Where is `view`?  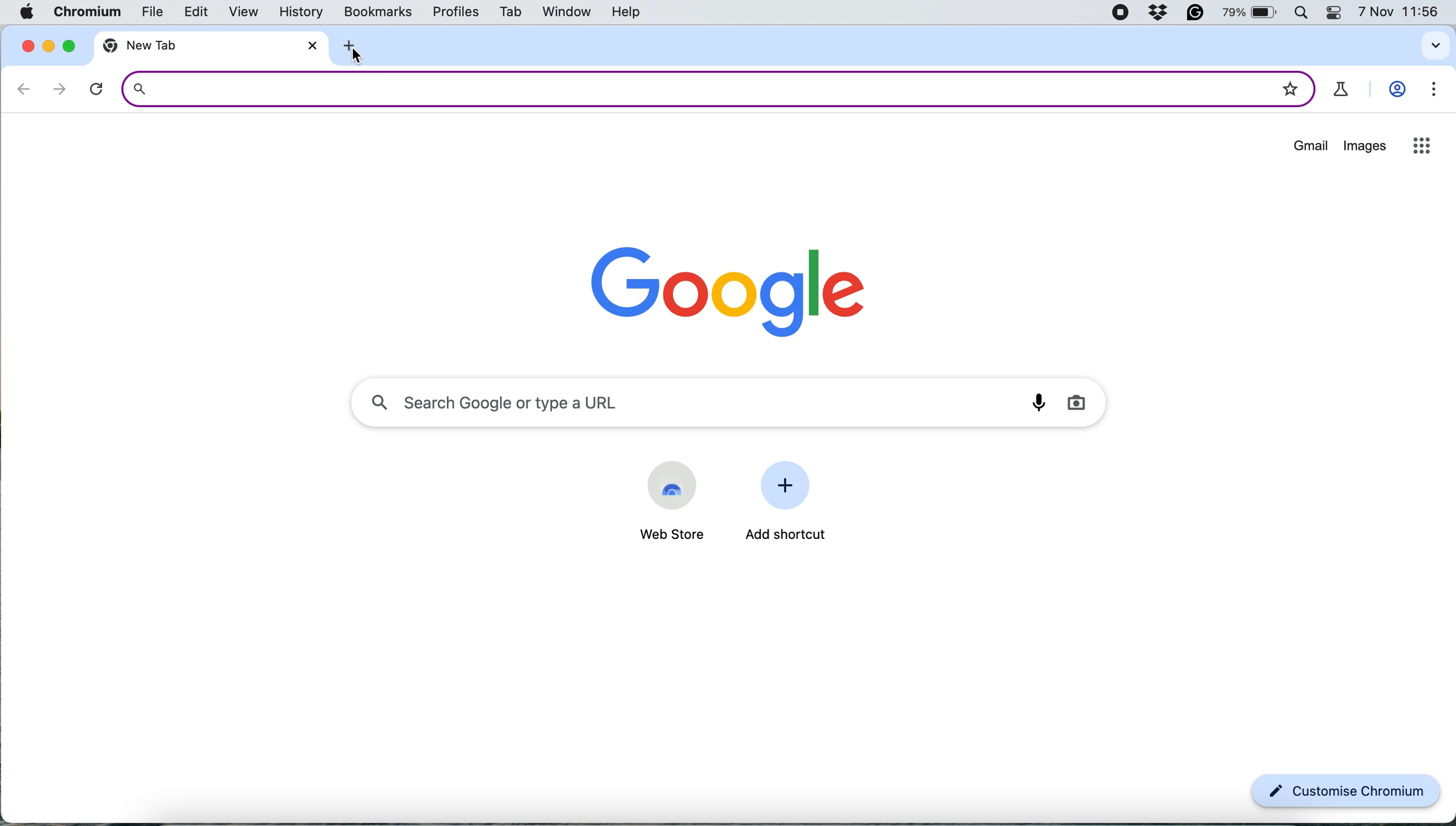 view is located at coordinates (238, 12).